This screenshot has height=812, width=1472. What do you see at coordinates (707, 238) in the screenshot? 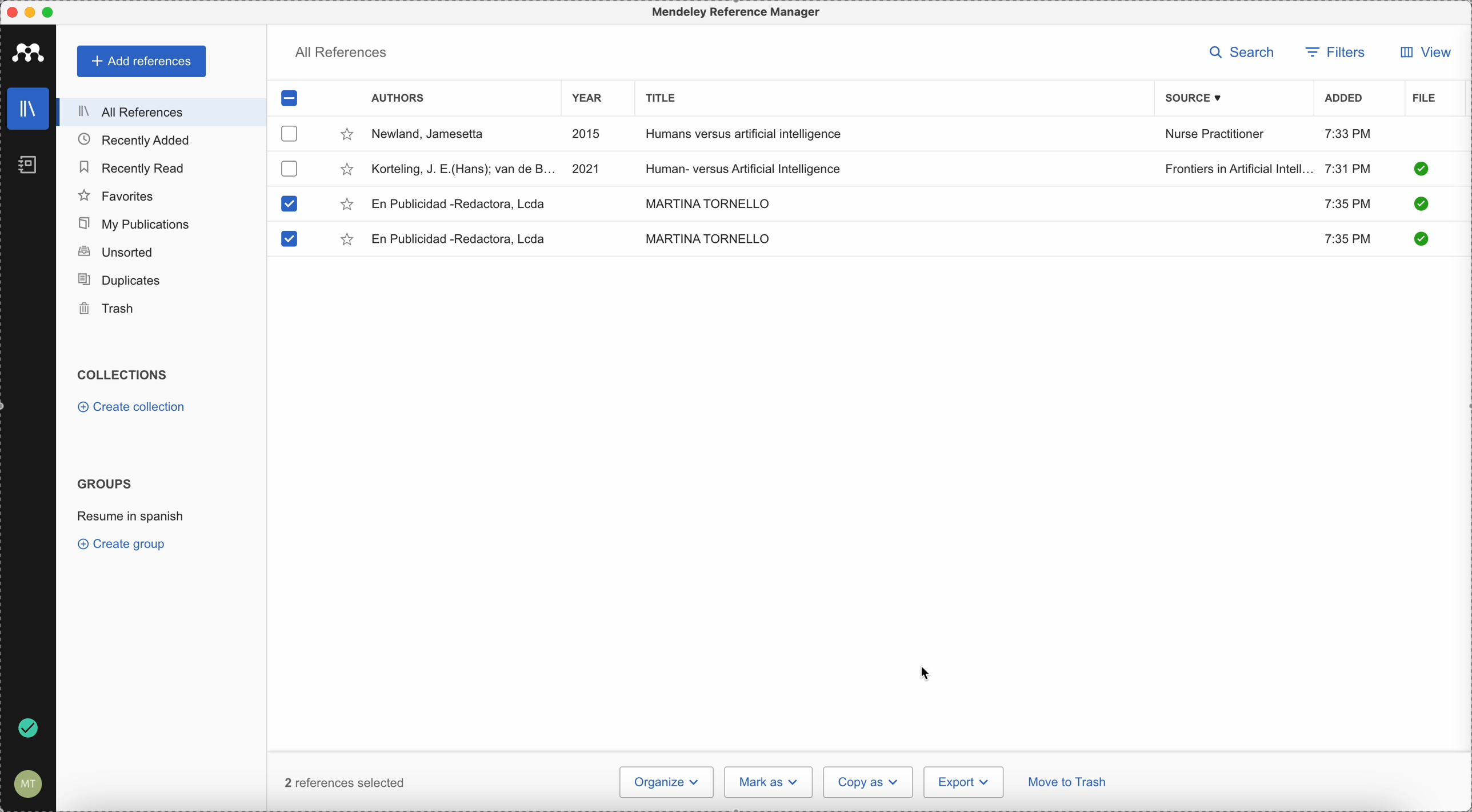
I see `MARTINA TORNELLO` at bounding box center [707, 238].